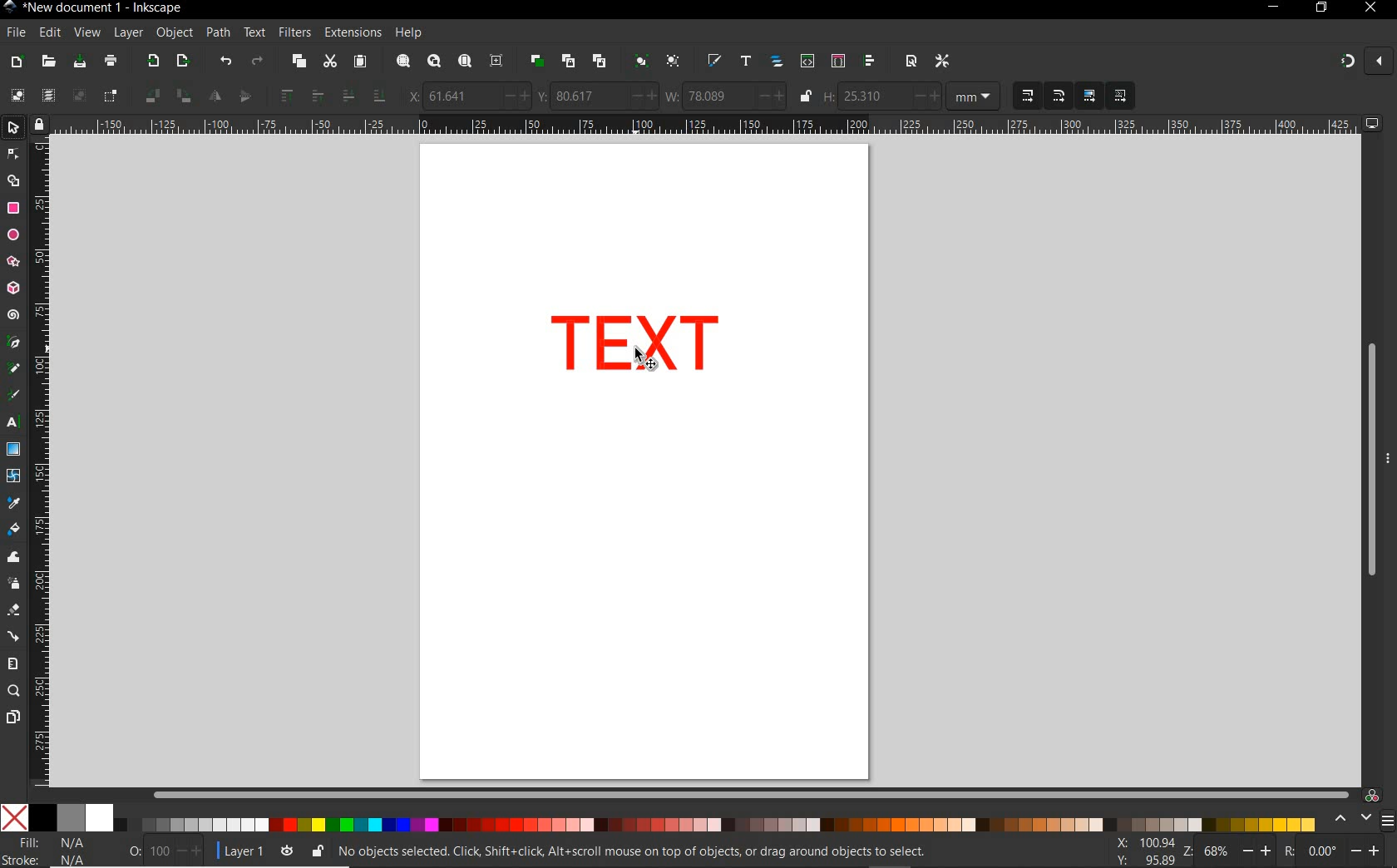  I want to click on help, so click(409, 33).